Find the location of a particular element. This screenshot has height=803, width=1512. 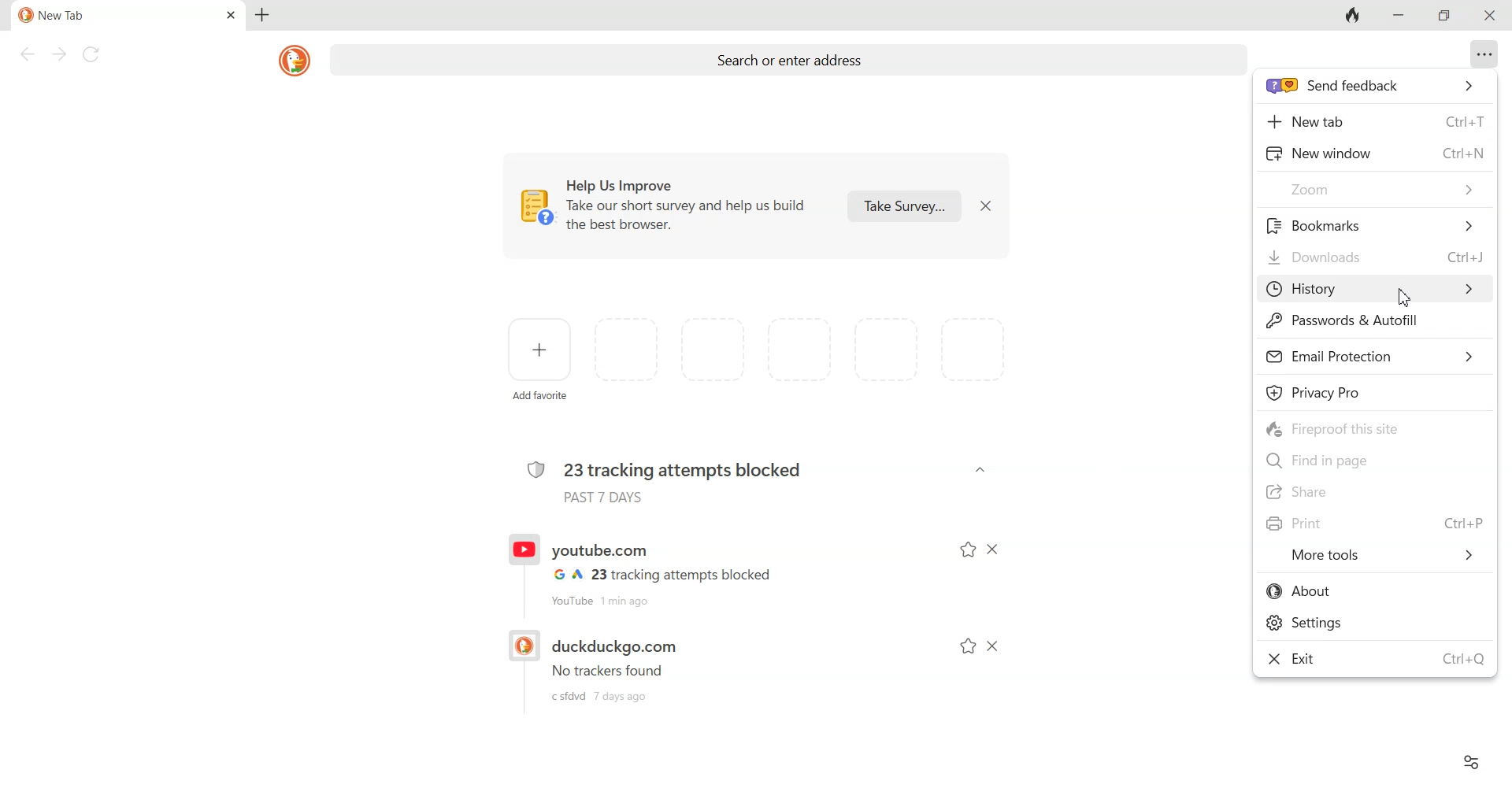

Cursor is located at coordinates (1405, 295).